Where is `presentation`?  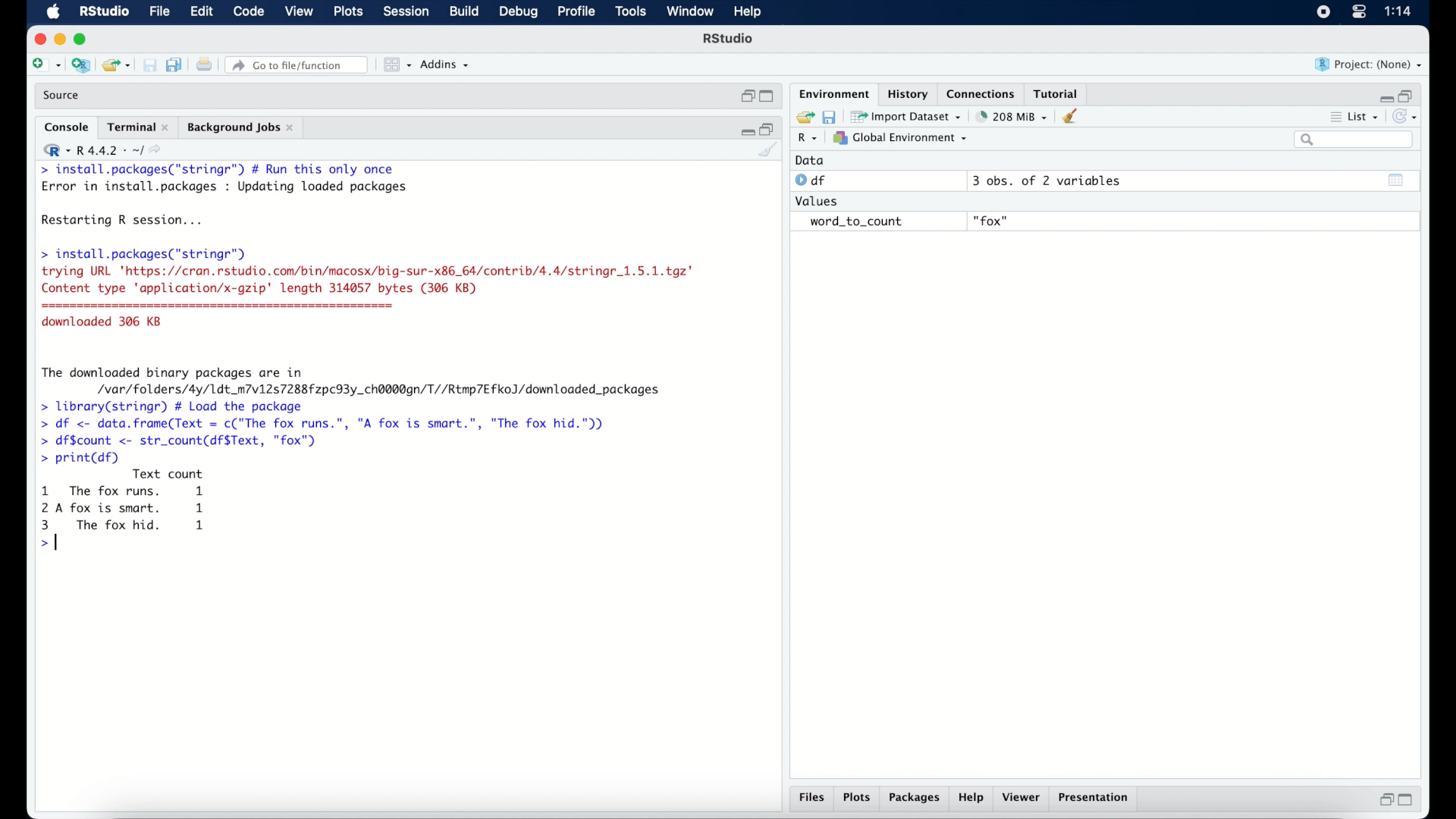 presentation is located at coordinates (1096, 799).